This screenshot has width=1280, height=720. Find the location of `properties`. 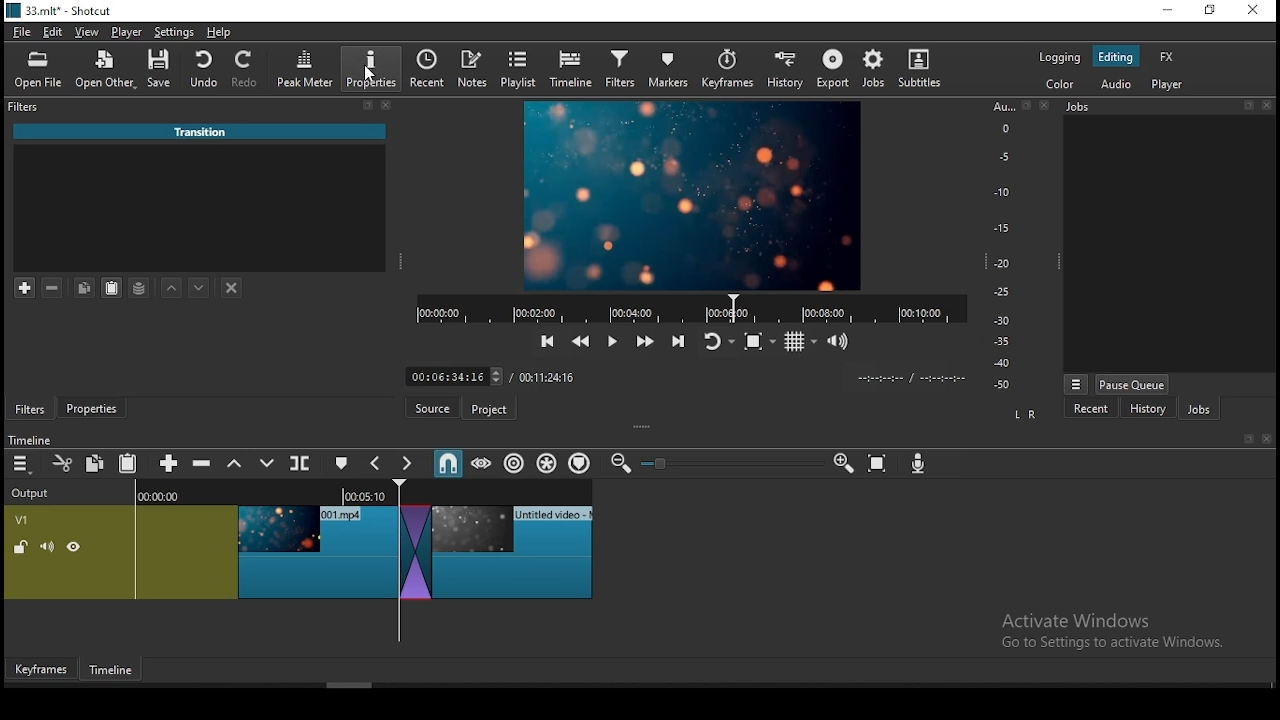

properties is located at coordinates (371, 69).